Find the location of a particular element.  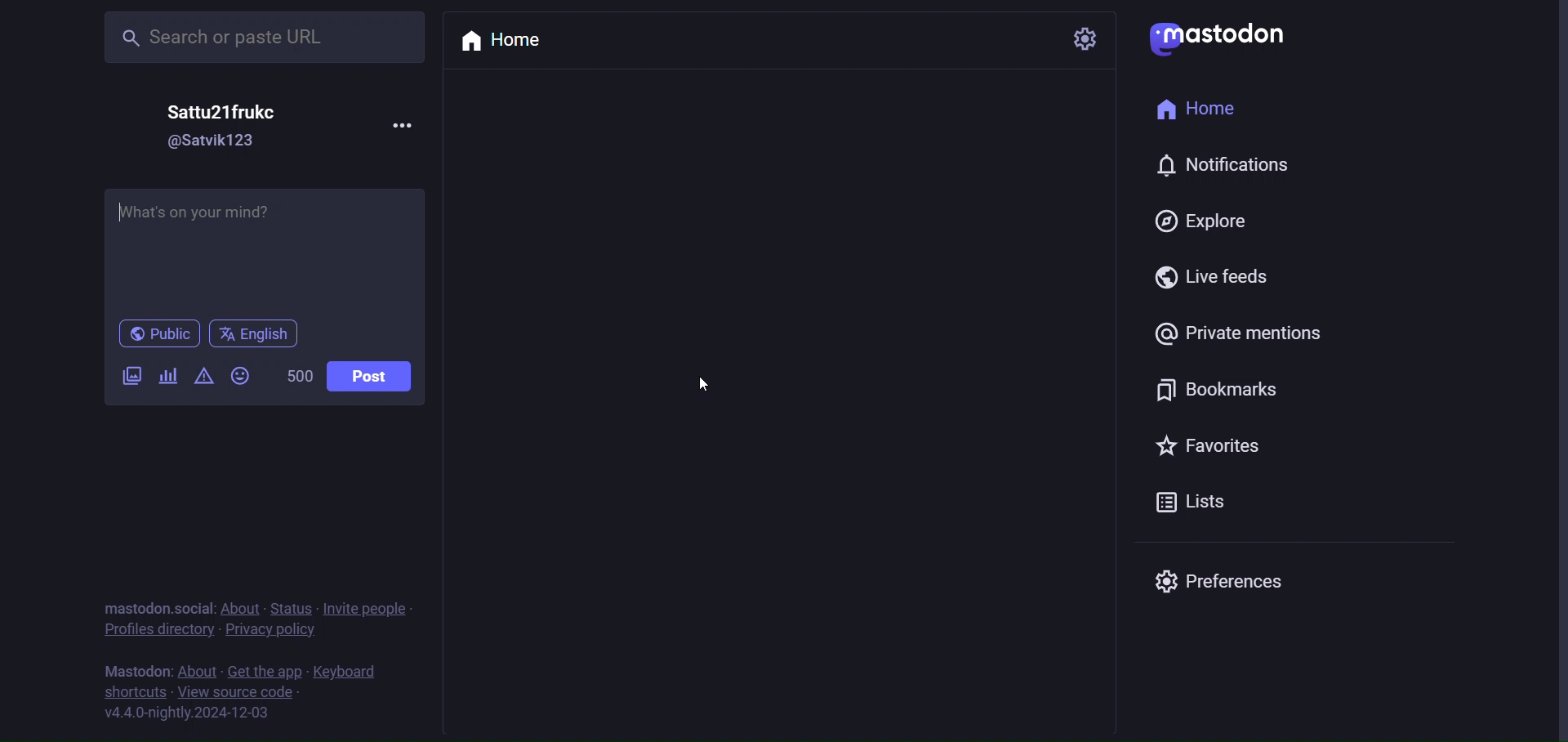

public is located at coordinates (152, 333).